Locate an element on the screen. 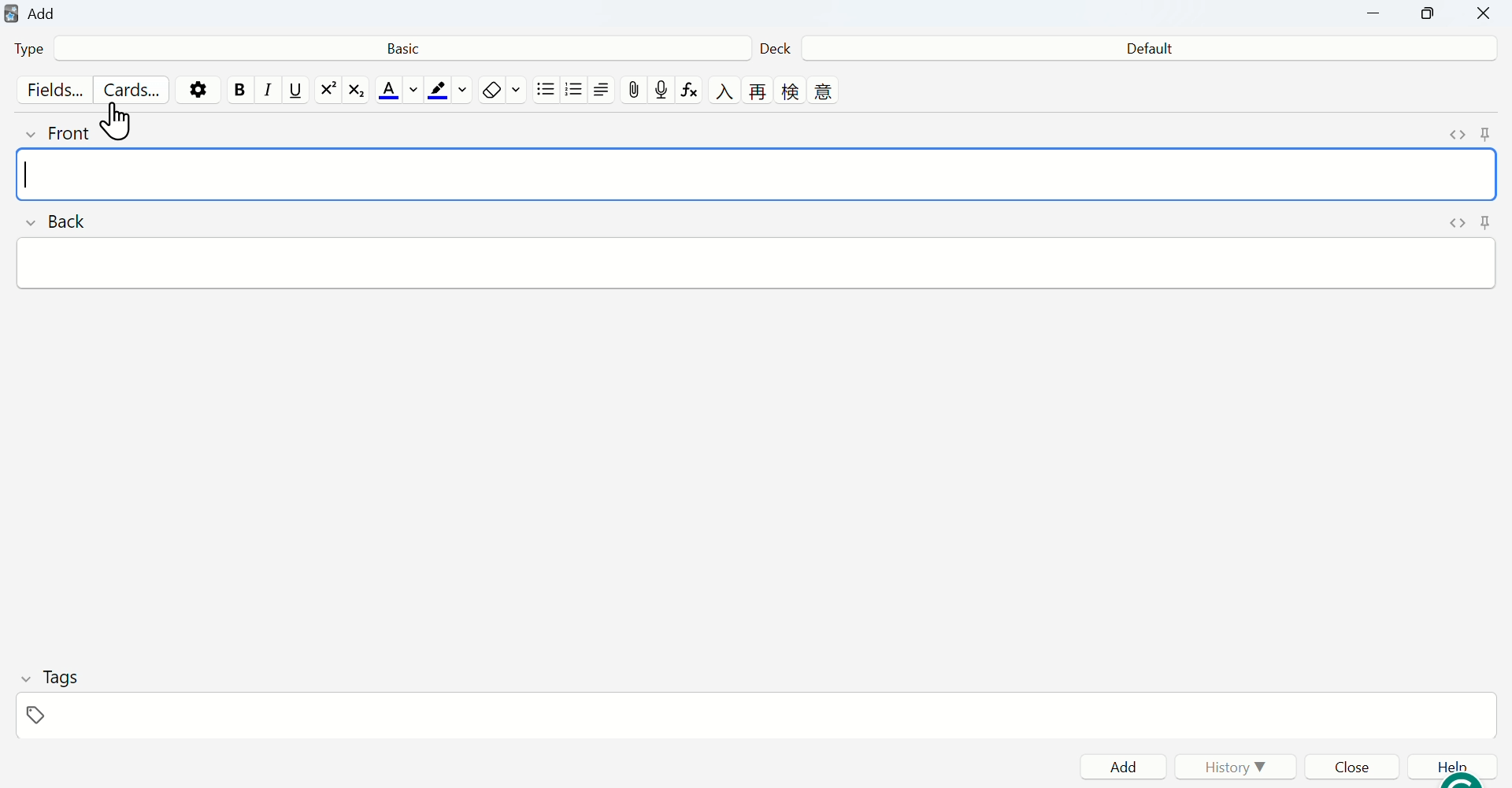 Image resolution: width=1512 pixels, height=788 pixels. remove formatting is located at coordinates (493, 90).